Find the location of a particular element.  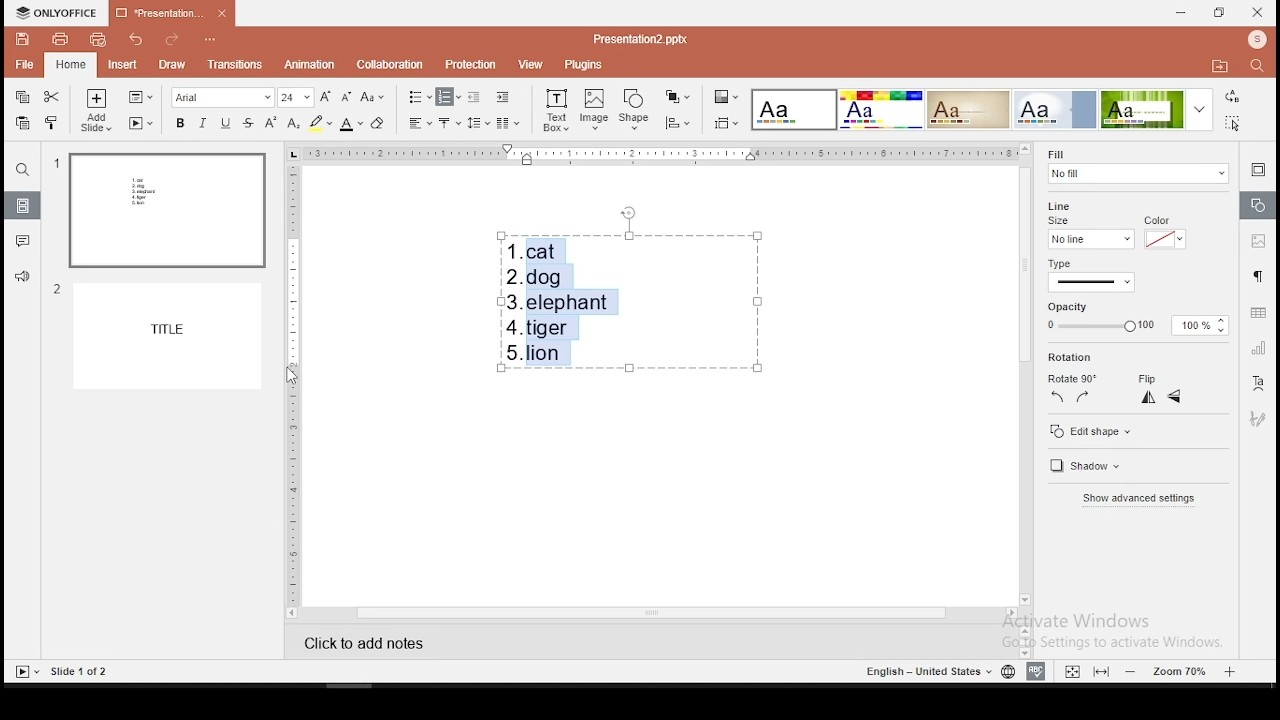

fit to width is located at coordinates (1069, 670).